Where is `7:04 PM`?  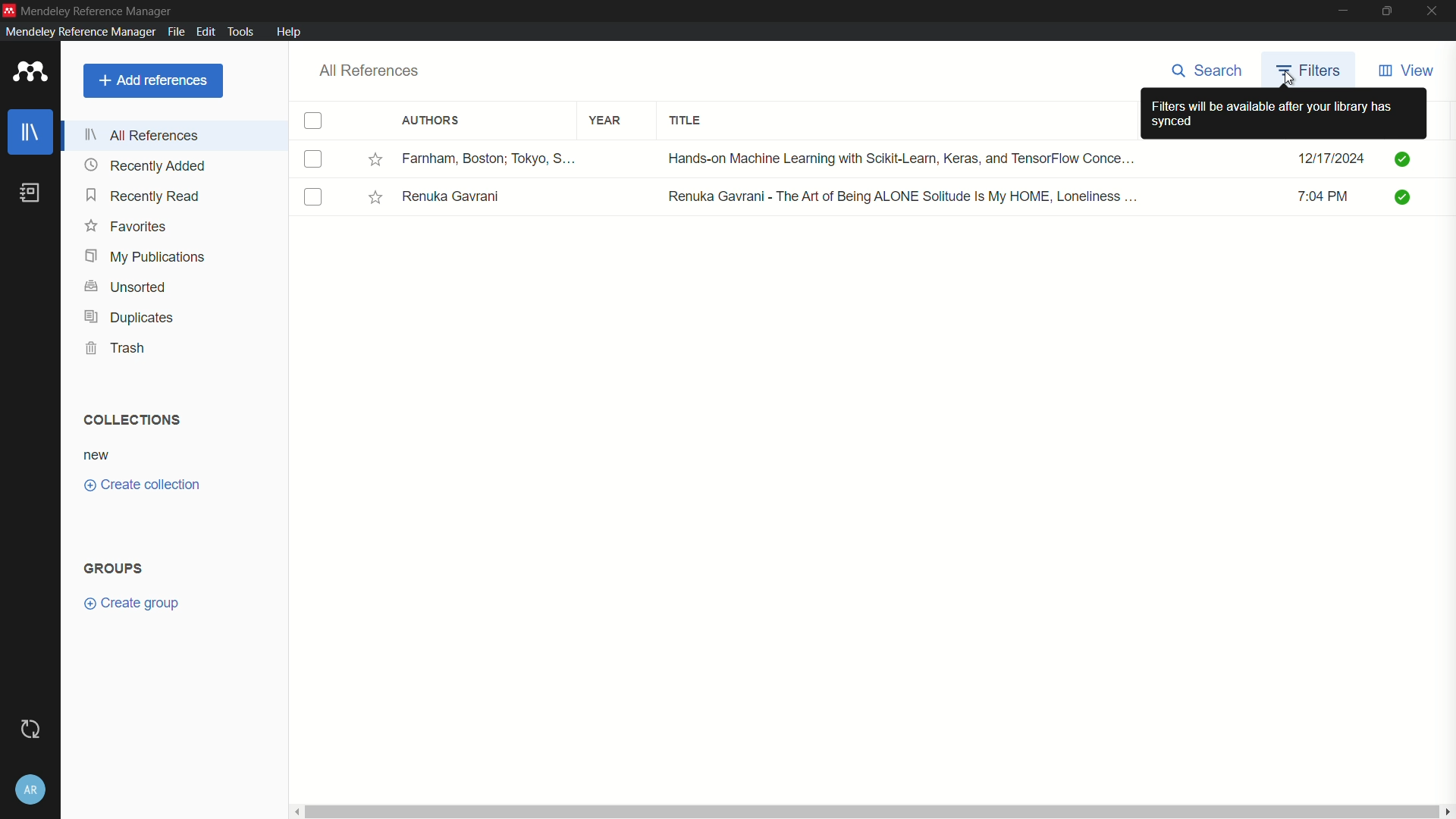
7:04 PM is located at coordinates (1325, 195).